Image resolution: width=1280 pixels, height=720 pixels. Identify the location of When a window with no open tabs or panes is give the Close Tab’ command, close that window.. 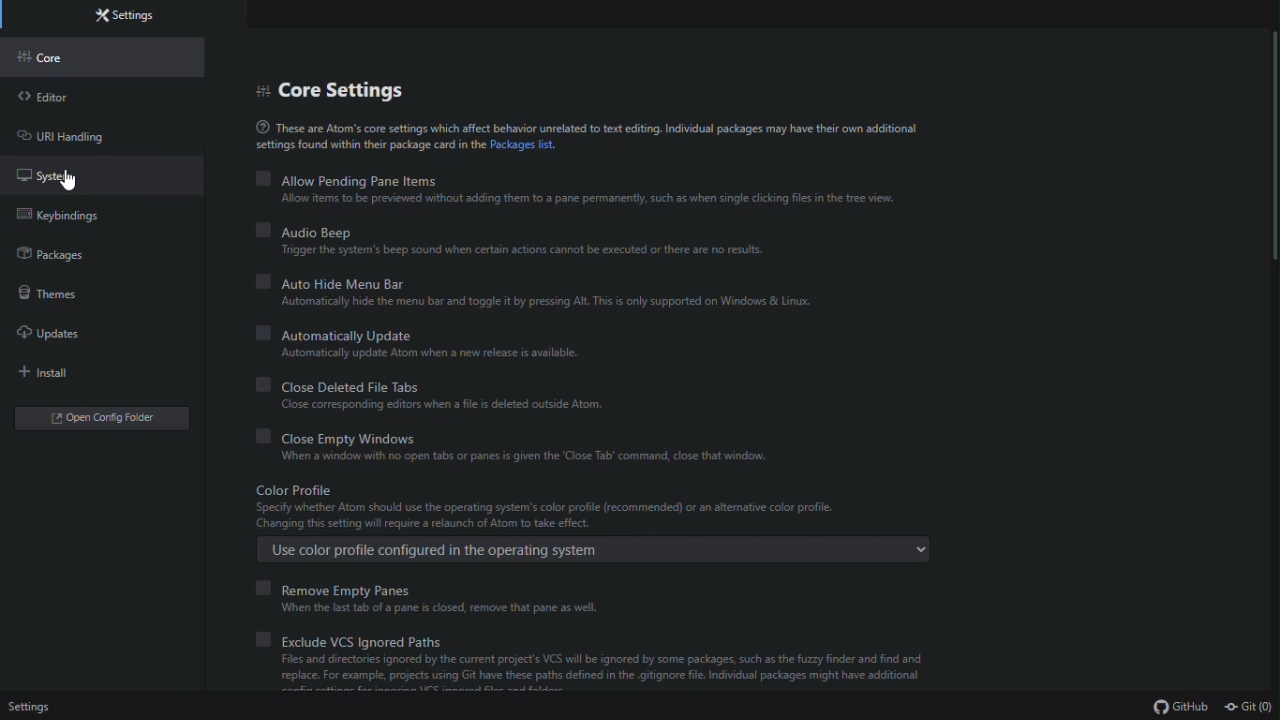
(520, 457).